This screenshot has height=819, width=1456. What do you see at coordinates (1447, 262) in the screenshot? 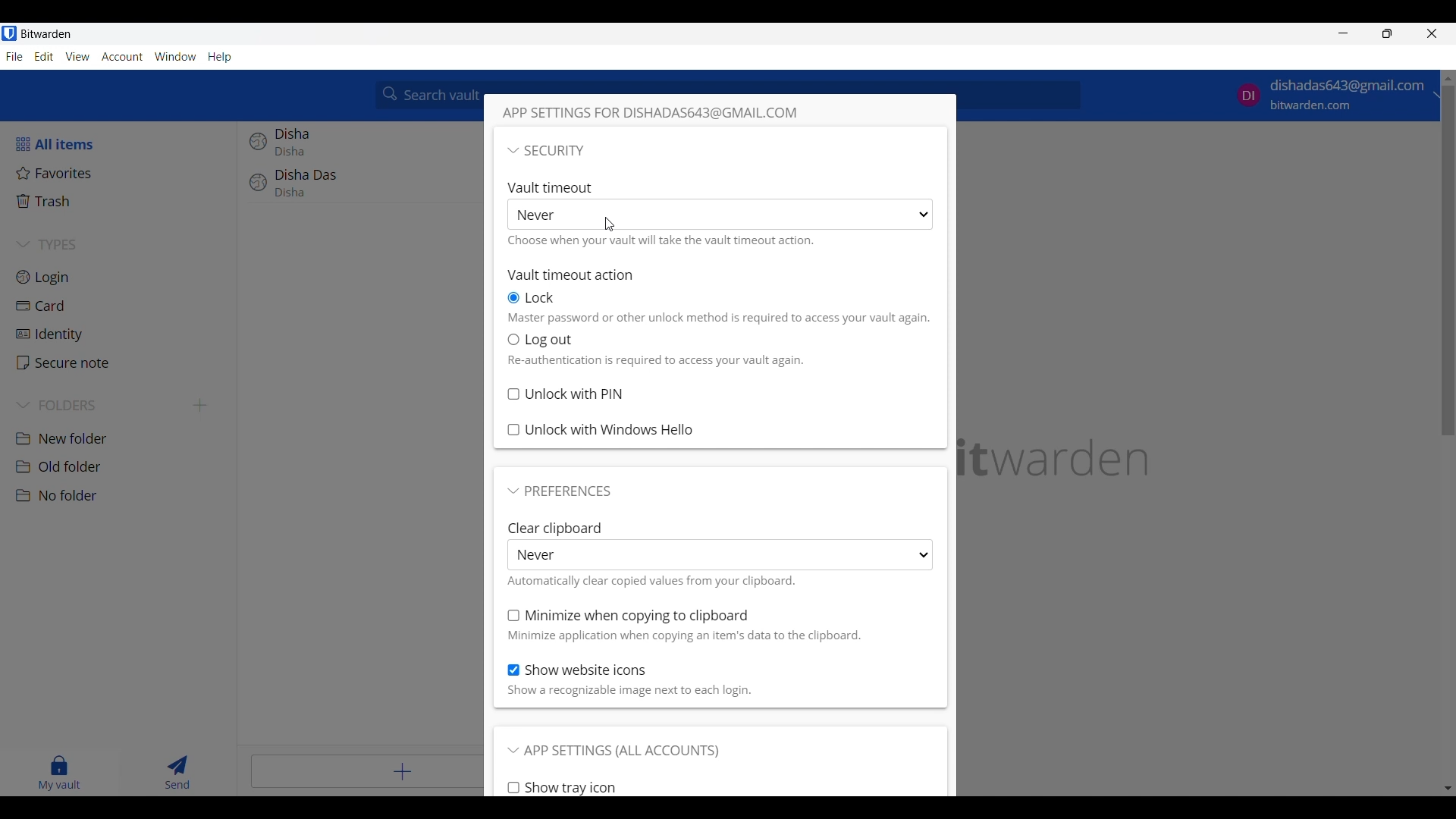
I see `scrollbar` at bounding box center [1447, 262].